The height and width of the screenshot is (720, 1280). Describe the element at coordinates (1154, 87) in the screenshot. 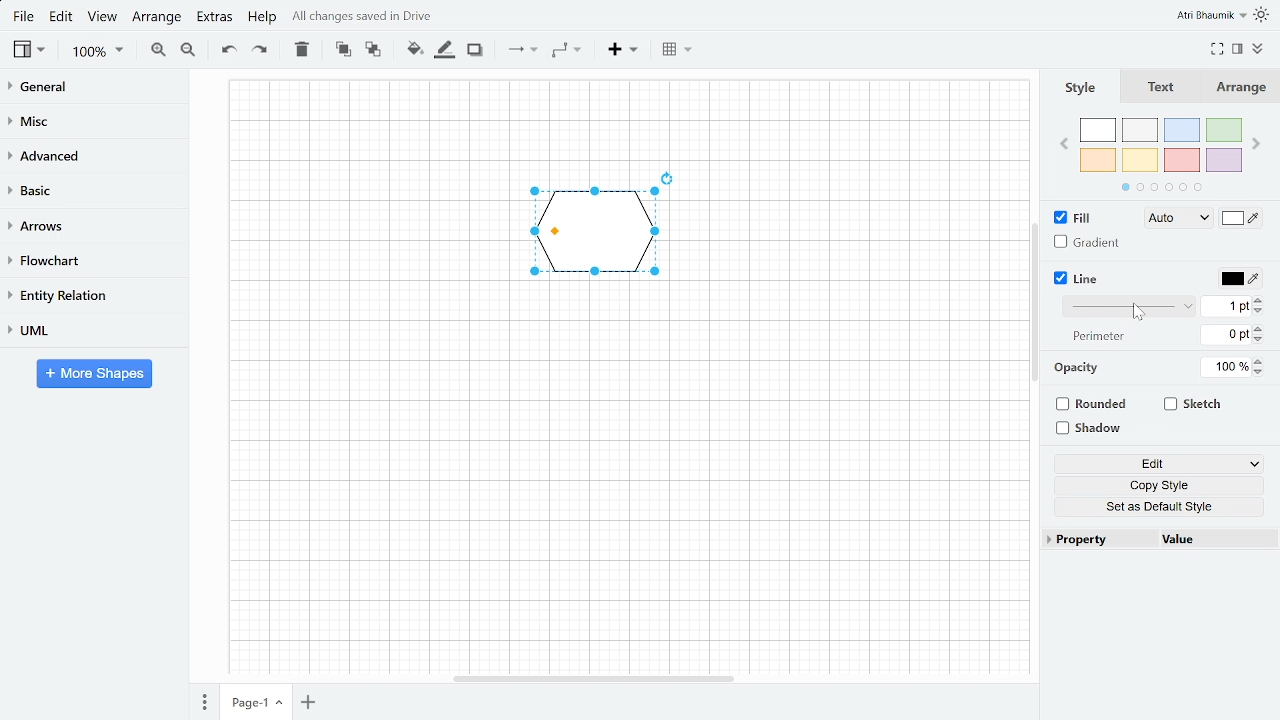

I see `Text` at that location.